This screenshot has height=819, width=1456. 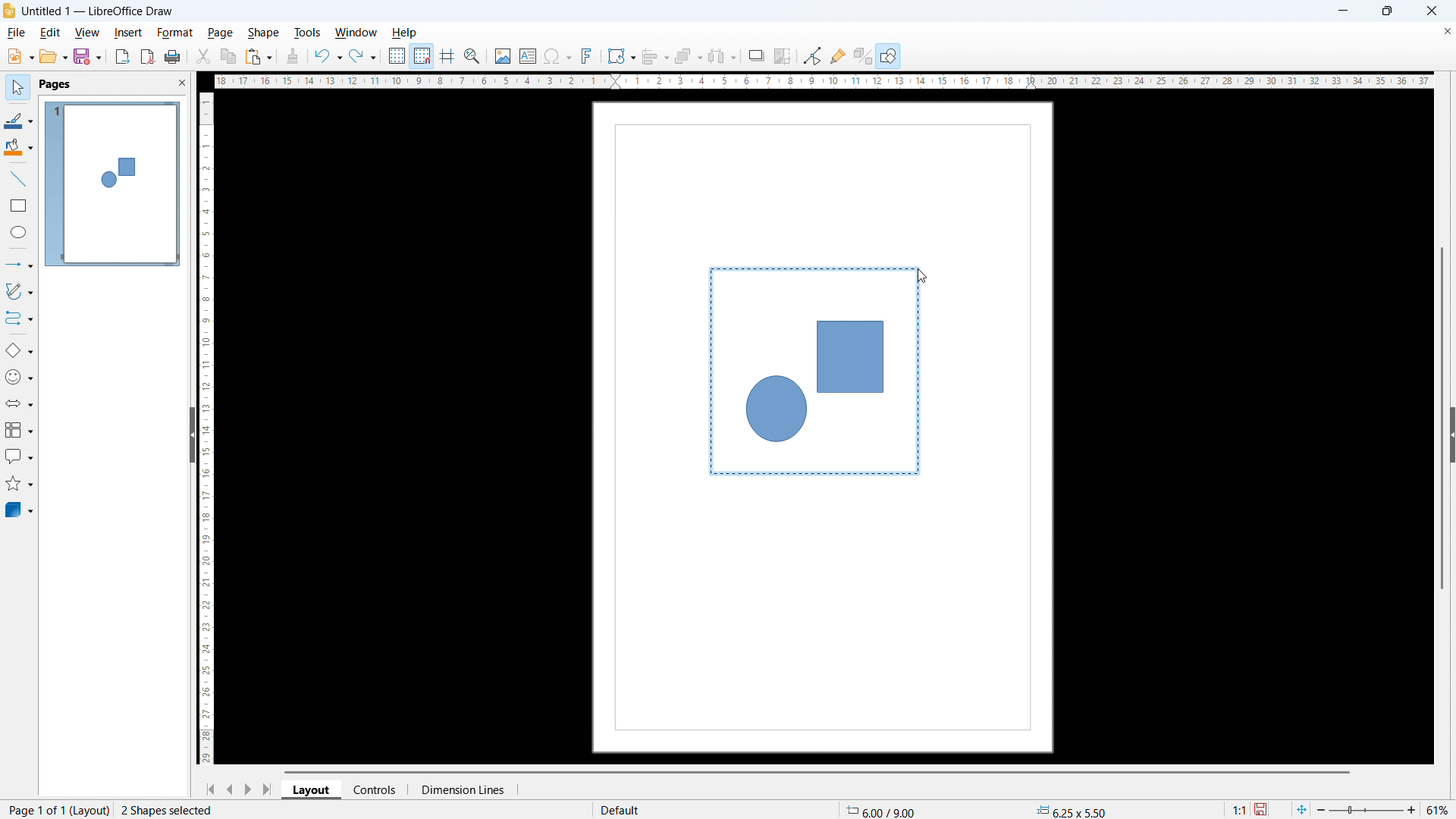 I want to click on undo, so click(x=328, y=57).